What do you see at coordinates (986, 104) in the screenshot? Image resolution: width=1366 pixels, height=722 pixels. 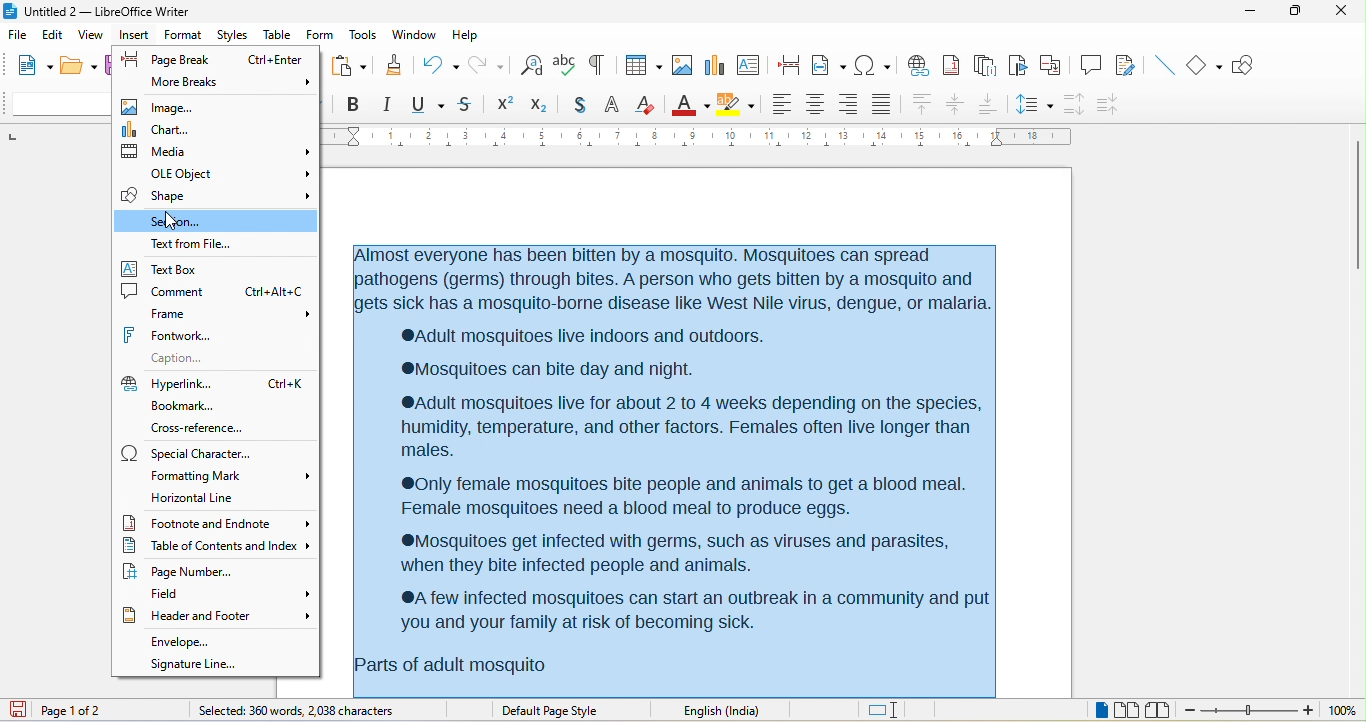 I see `align bottom` at bounding box center [986, 104].